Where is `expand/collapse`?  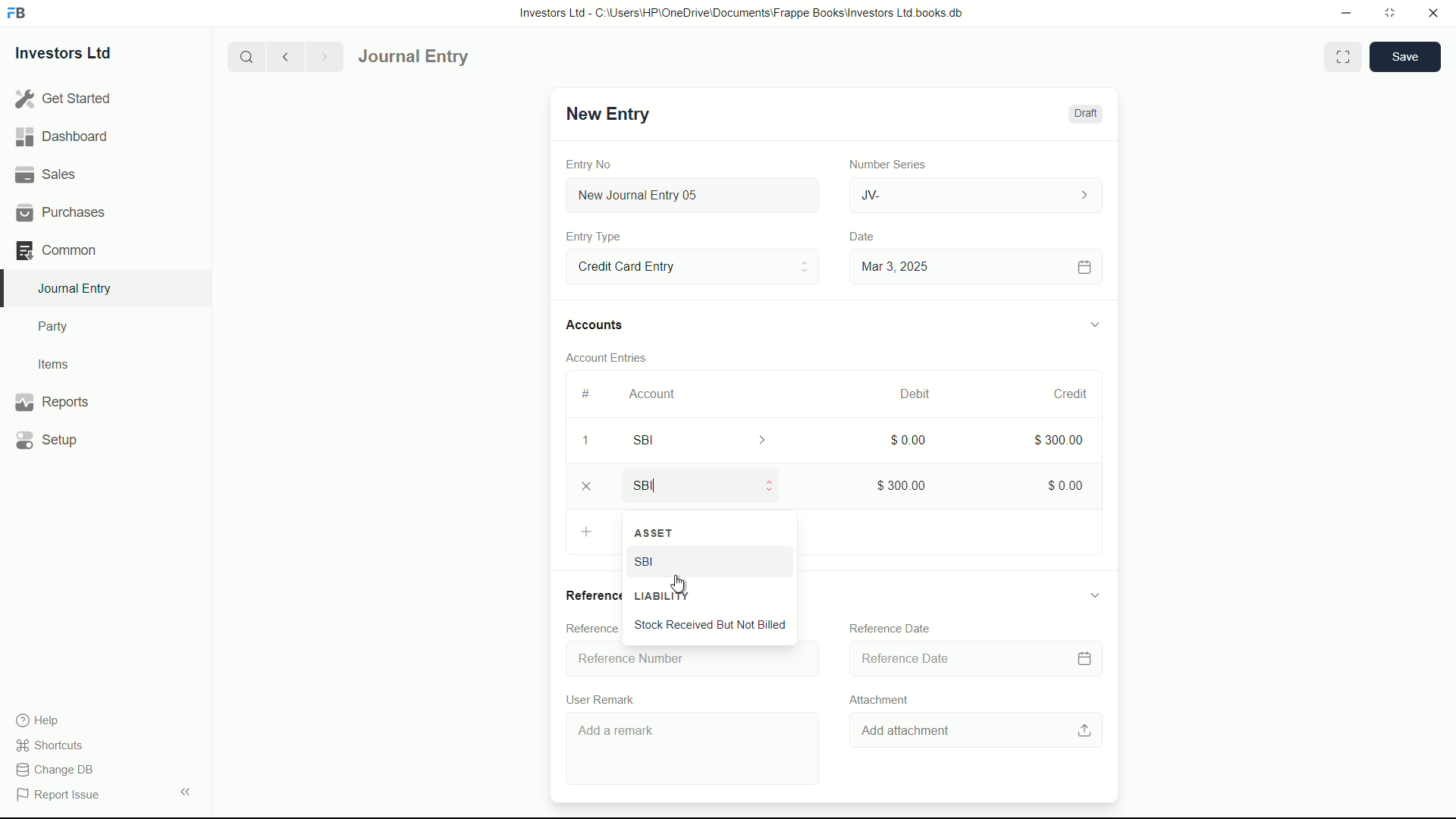
expand/collapse is located at coordinates (185, 790).